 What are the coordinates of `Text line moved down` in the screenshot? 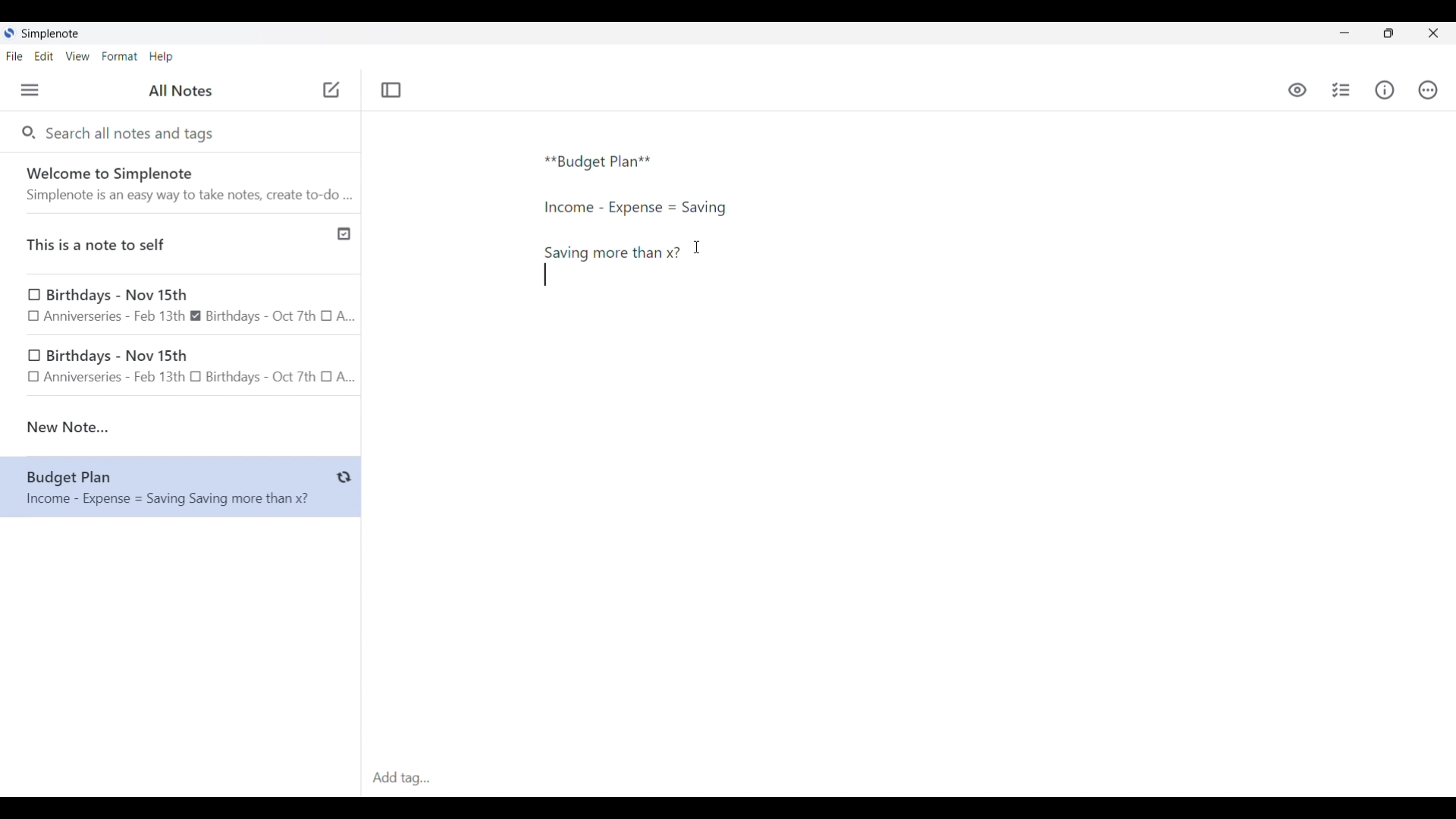 It's located at (545, 275).